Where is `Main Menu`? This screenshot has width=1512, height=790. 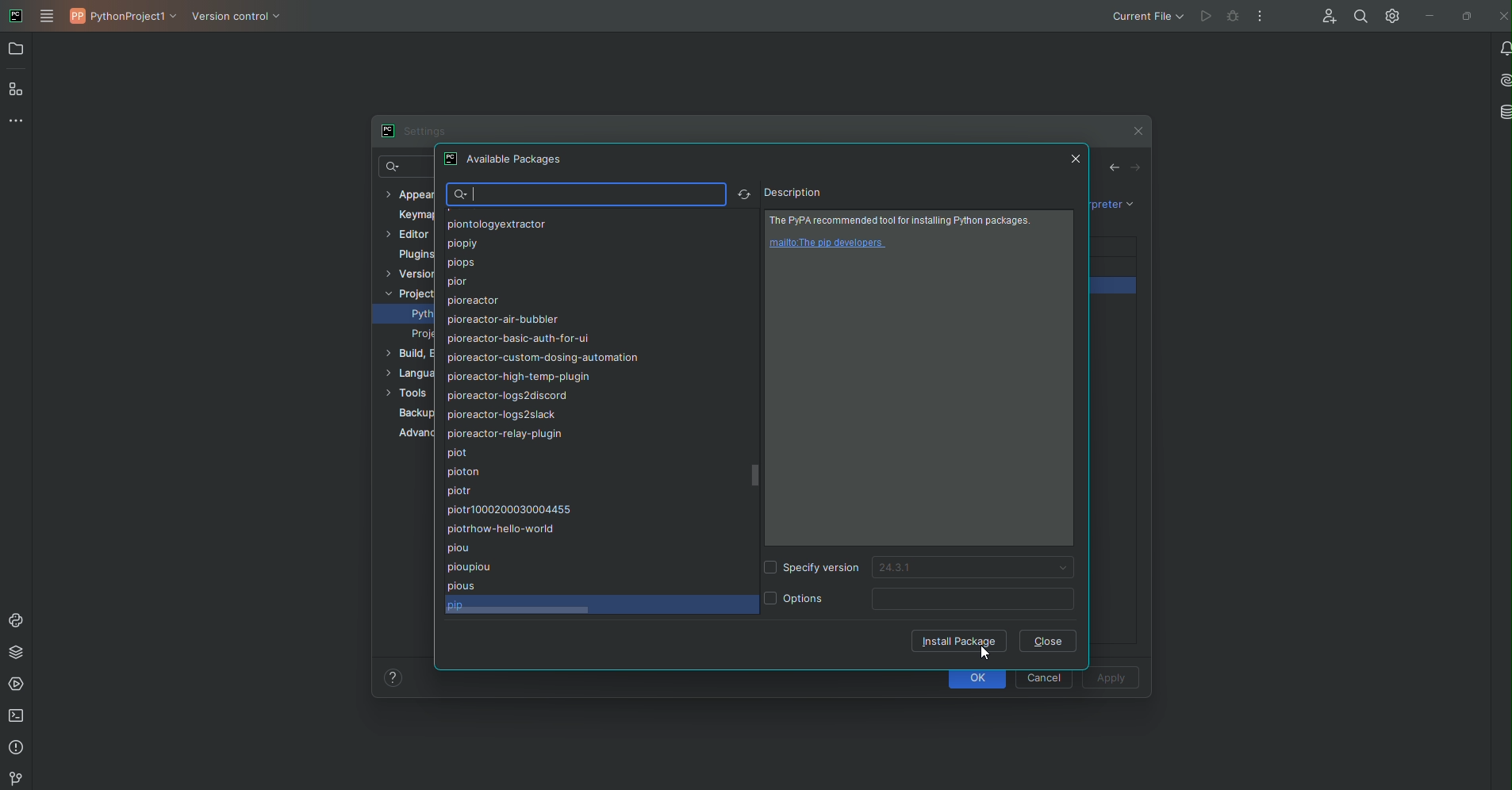 Main Menu is located at coordinates (49, 16).